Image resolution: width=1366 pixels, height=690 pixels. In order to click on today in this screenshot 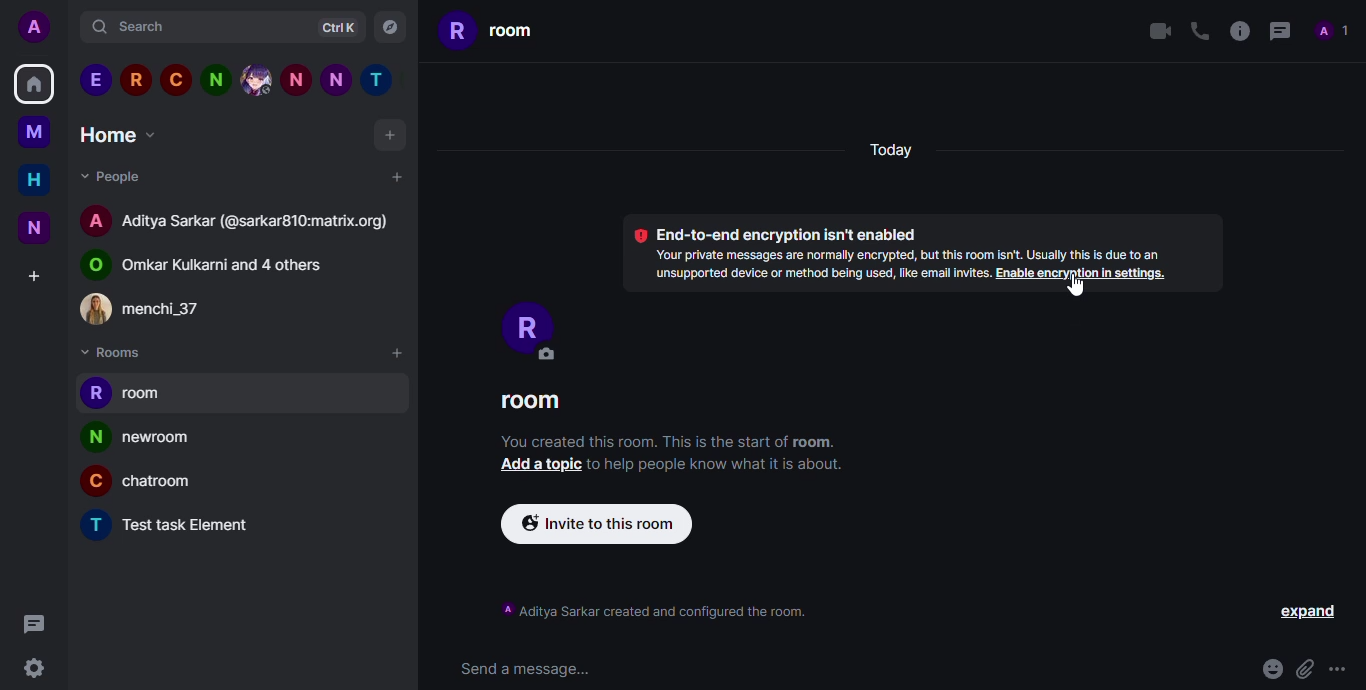, I will do `click(895, 152)`.